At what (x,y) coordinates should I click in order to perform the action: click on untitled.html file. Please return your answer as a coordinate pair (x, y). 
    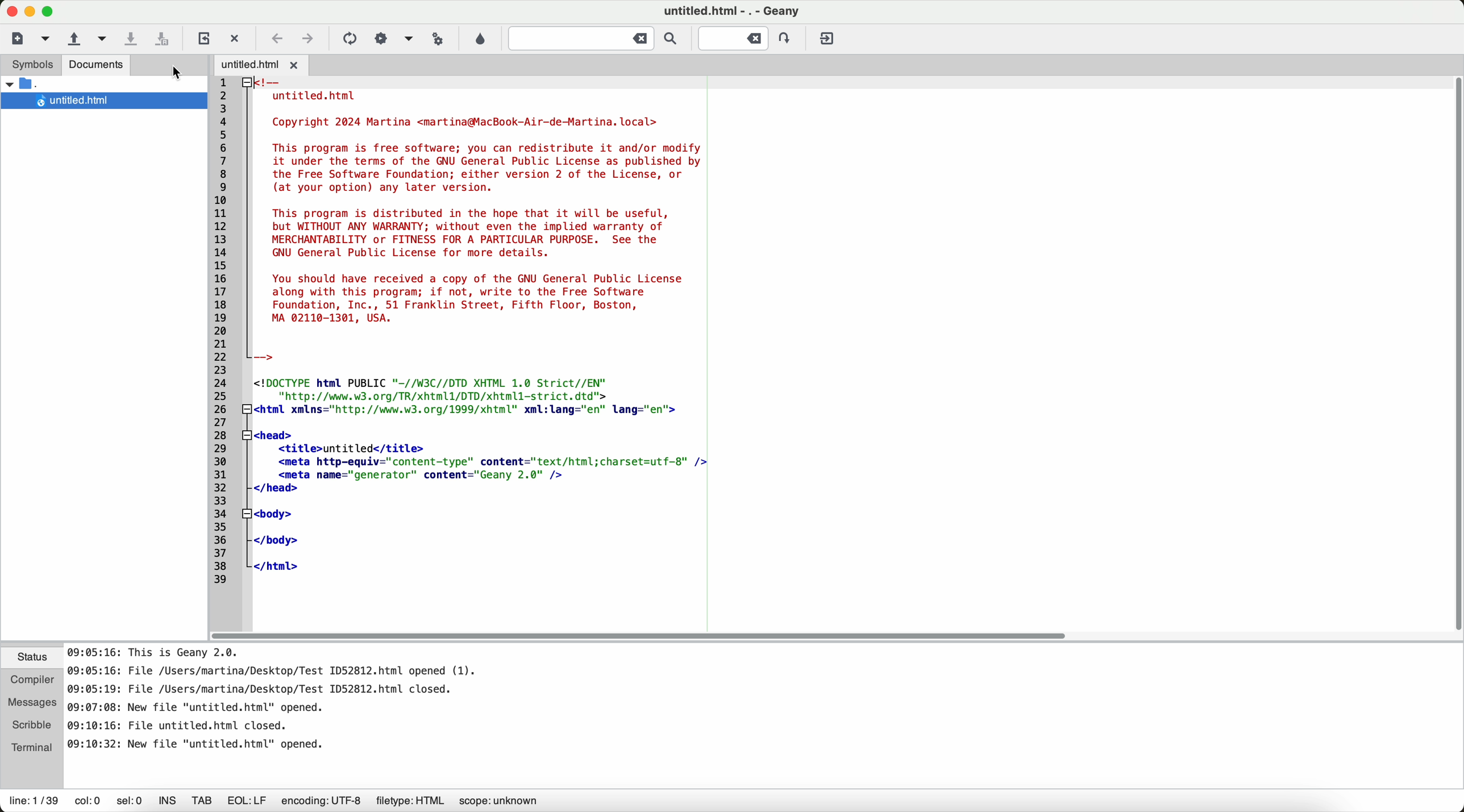
    Looking at the image, I should click on (105, 101).